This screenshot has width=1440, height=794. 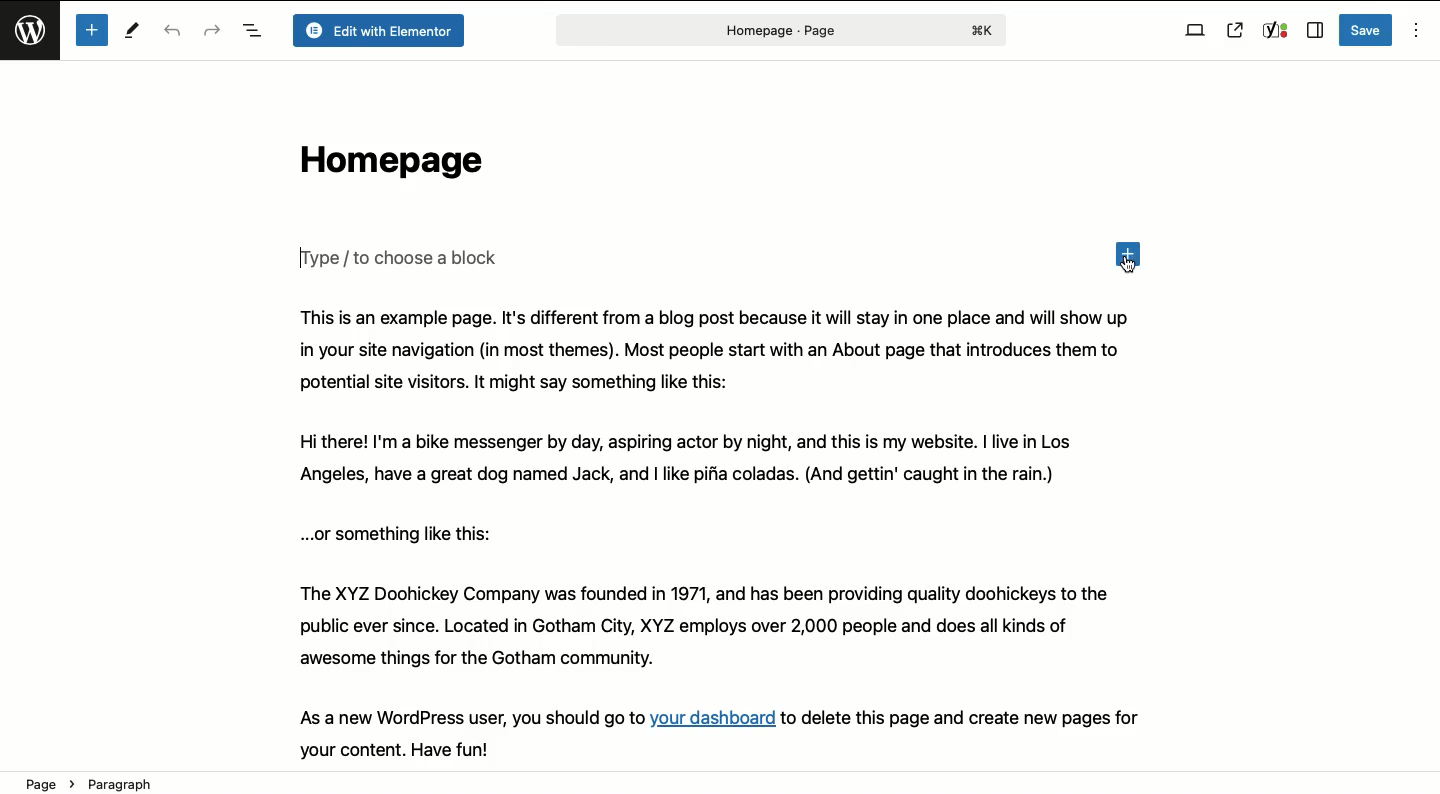 What do you see at coordinates (377, 31) in the screenshot?
I see `Edit with elementor` at bounding box center [377, 31].